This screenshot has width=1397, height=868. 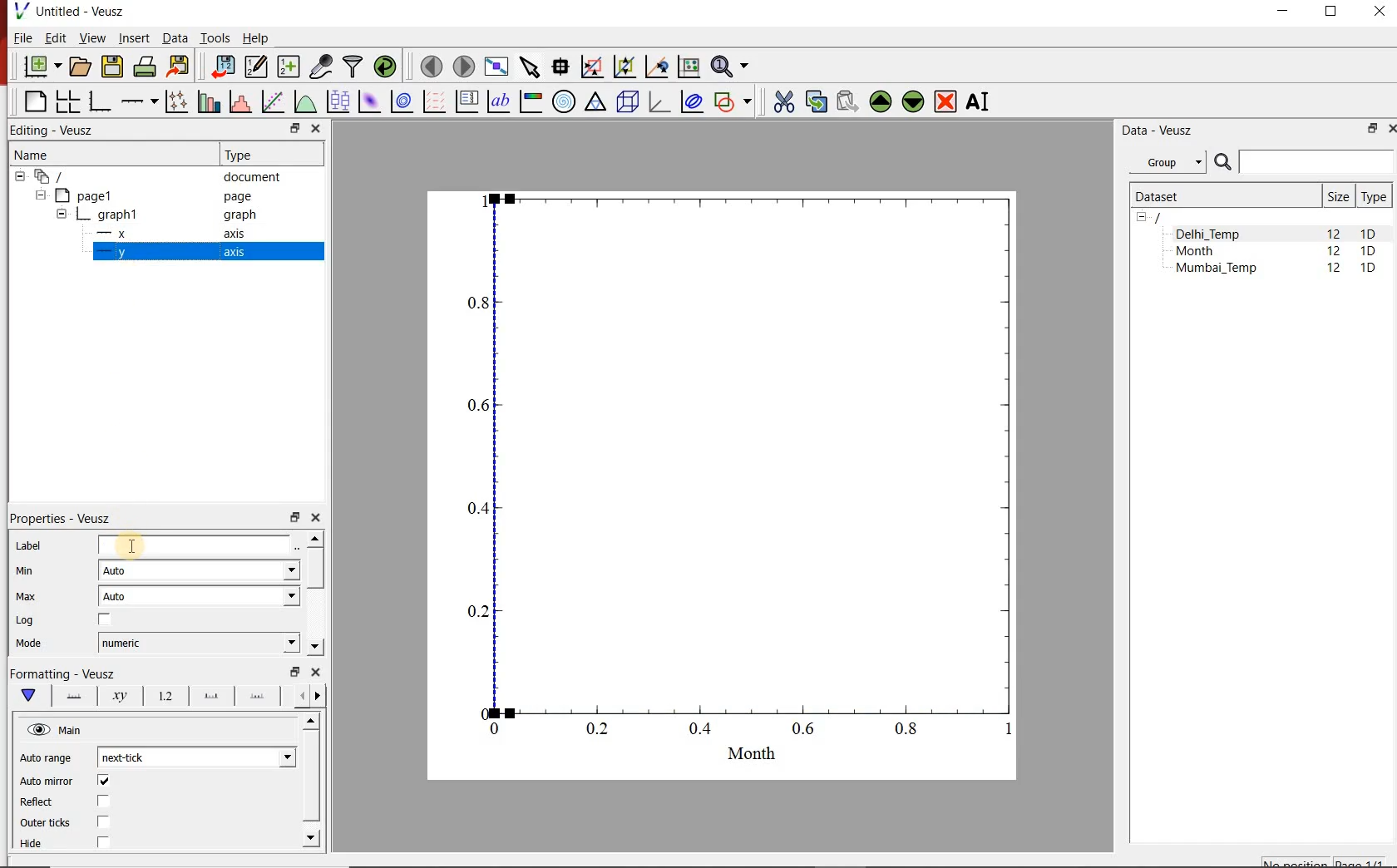 I want to click on reload linked datasets, so click(x=385, y=65).